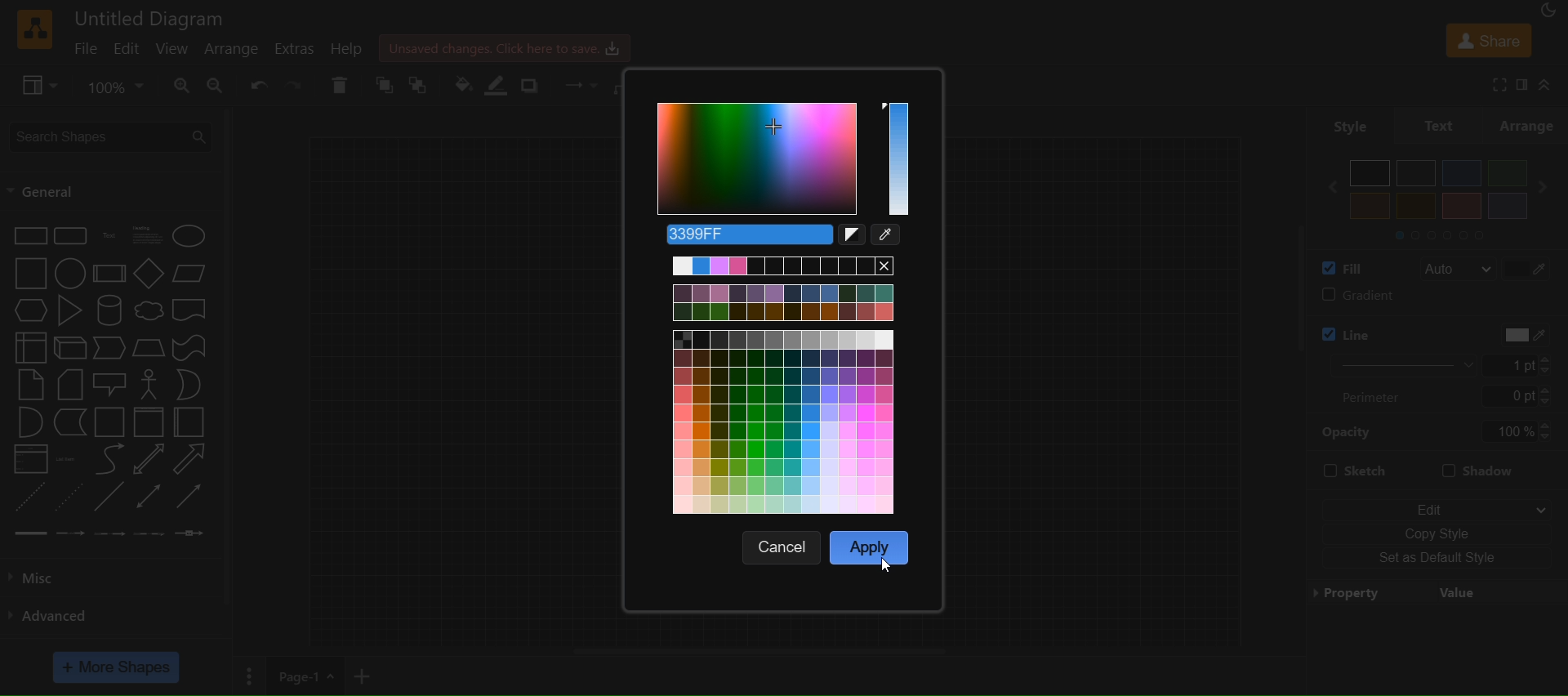 The width and height of the screenshot is (1568, 696). Describe the element at coordinates (1453, 234) in the screenshot. I see `sections` at that location.